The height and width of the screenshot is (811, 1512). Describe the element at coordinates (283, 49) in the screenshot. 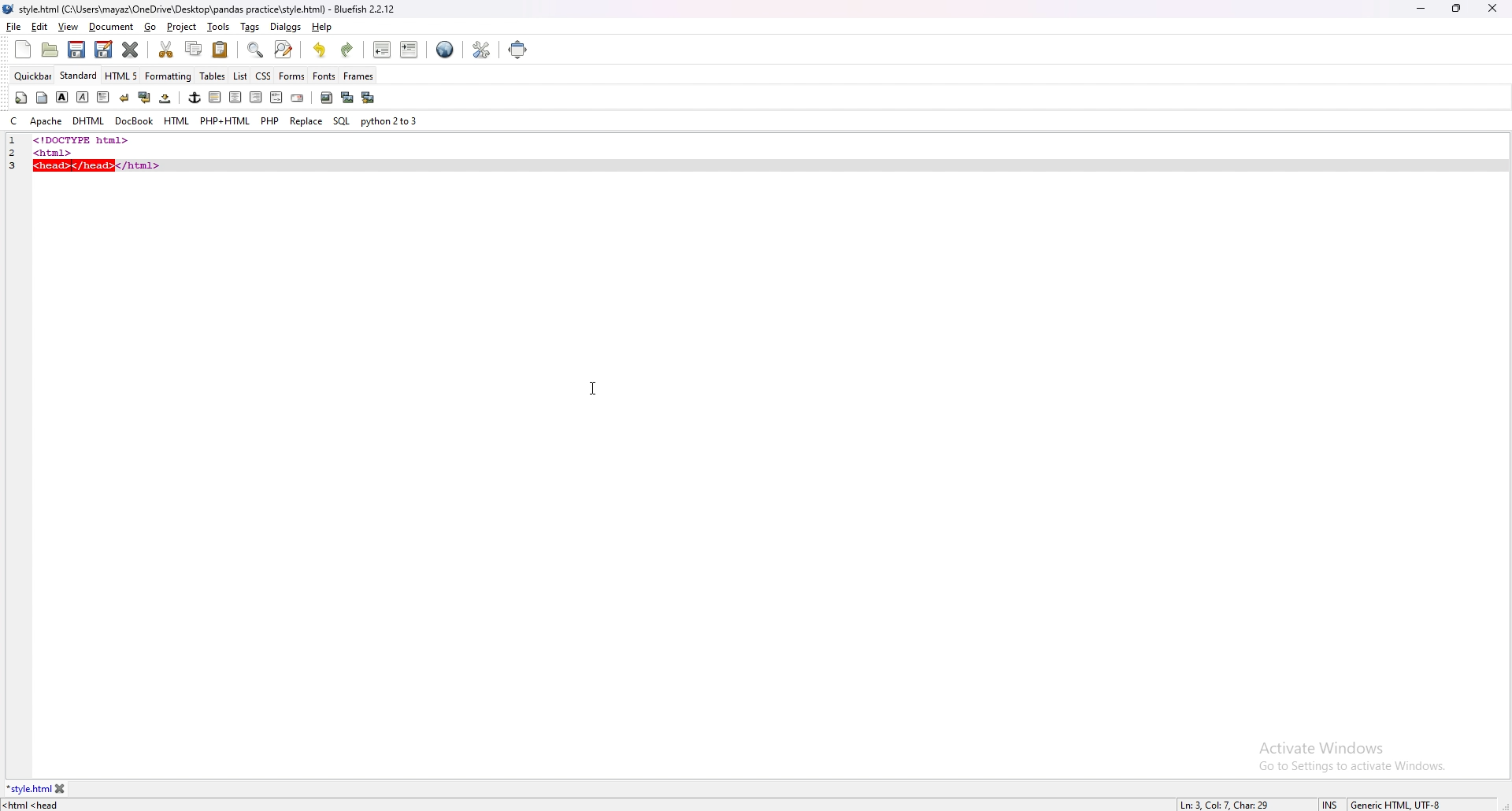

I see `advanced find and replace` at that location.